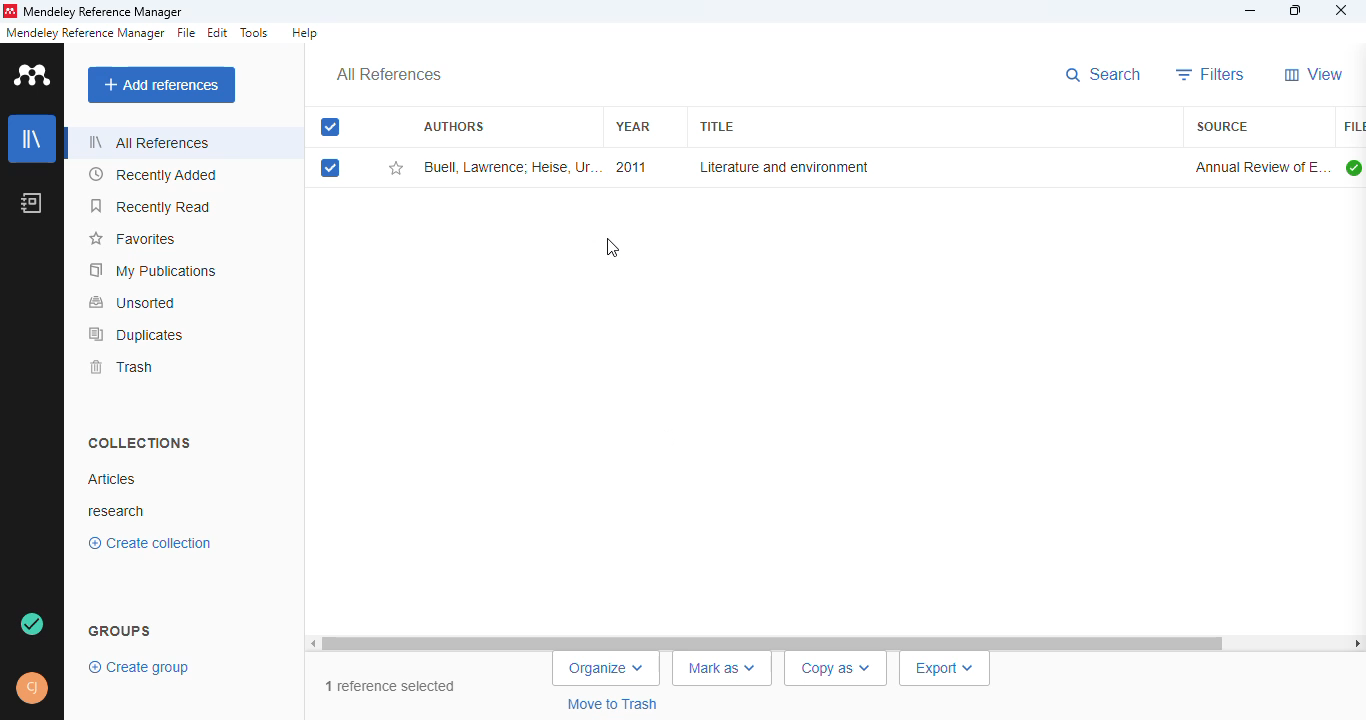 Image resolution: width=1366 pixels, height=720 pixels. I want to click on Buell Lawrence; Heise U, ThornberK, so click(511, 167).